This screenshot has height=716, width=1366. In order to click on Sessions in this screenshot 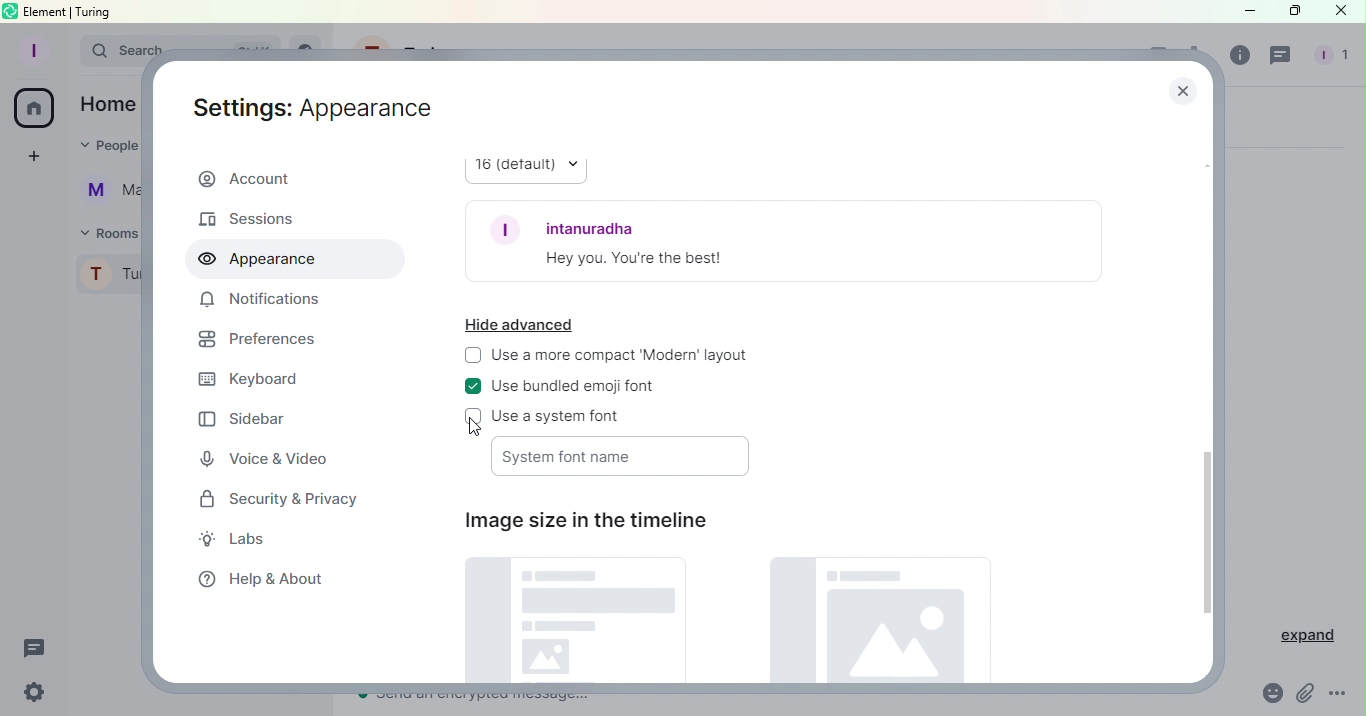, I will do `click(257, 219)`.